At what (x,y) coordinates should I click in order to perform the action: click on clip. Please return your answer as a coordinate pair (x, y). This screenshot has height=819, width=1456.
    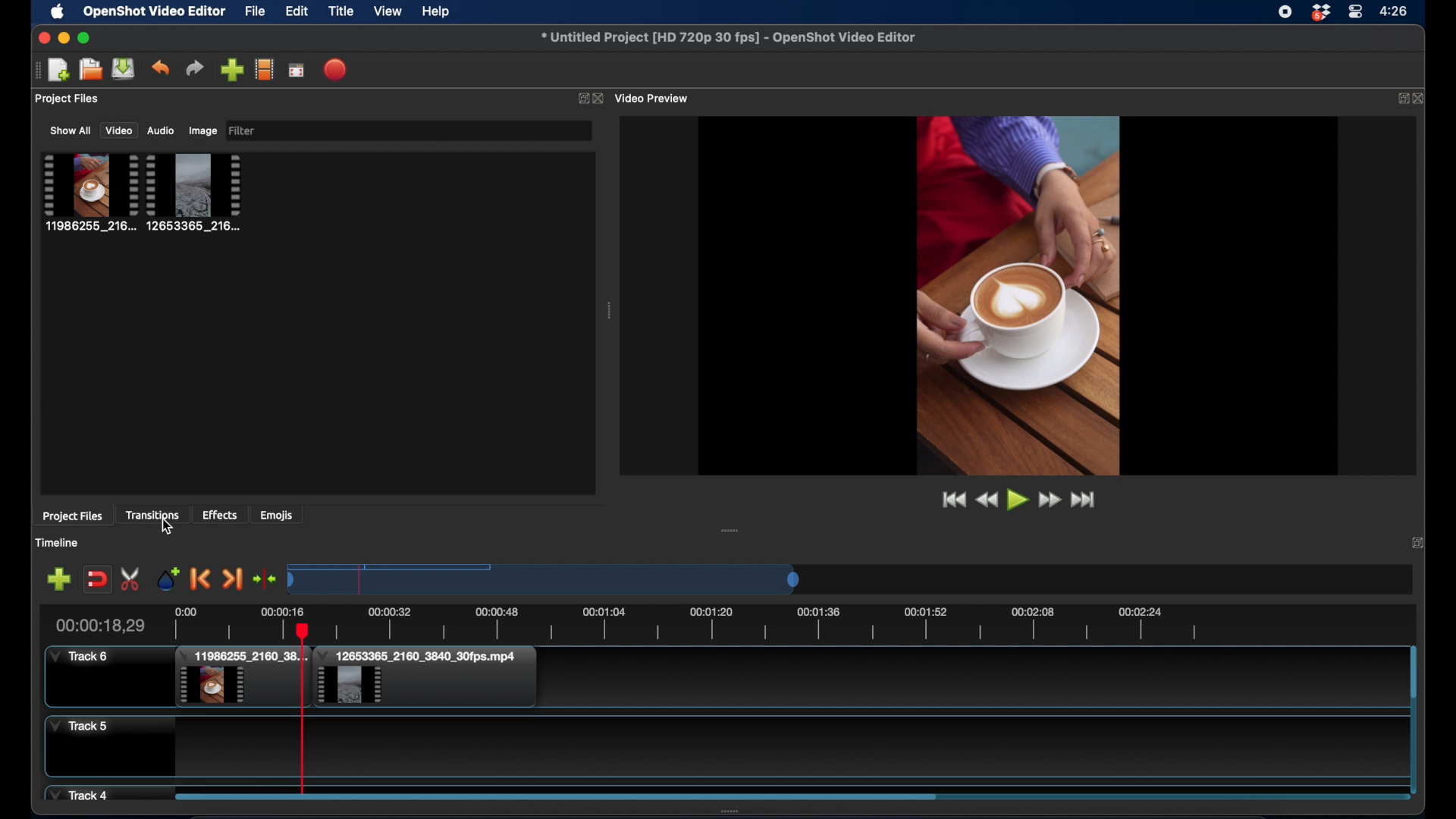
    Looking at the image, I should click on (425, 677).